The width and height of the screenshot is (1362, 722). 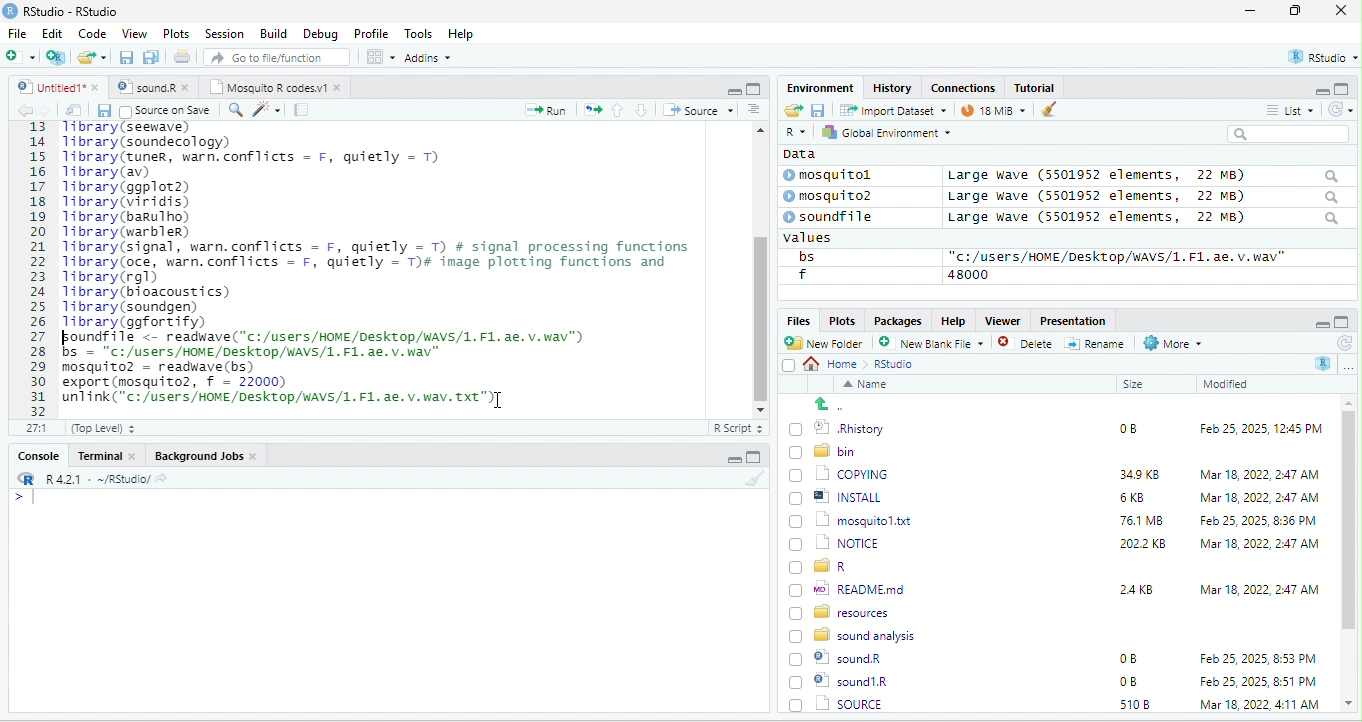 I want to click on syntax, so click(x=20, y=500).